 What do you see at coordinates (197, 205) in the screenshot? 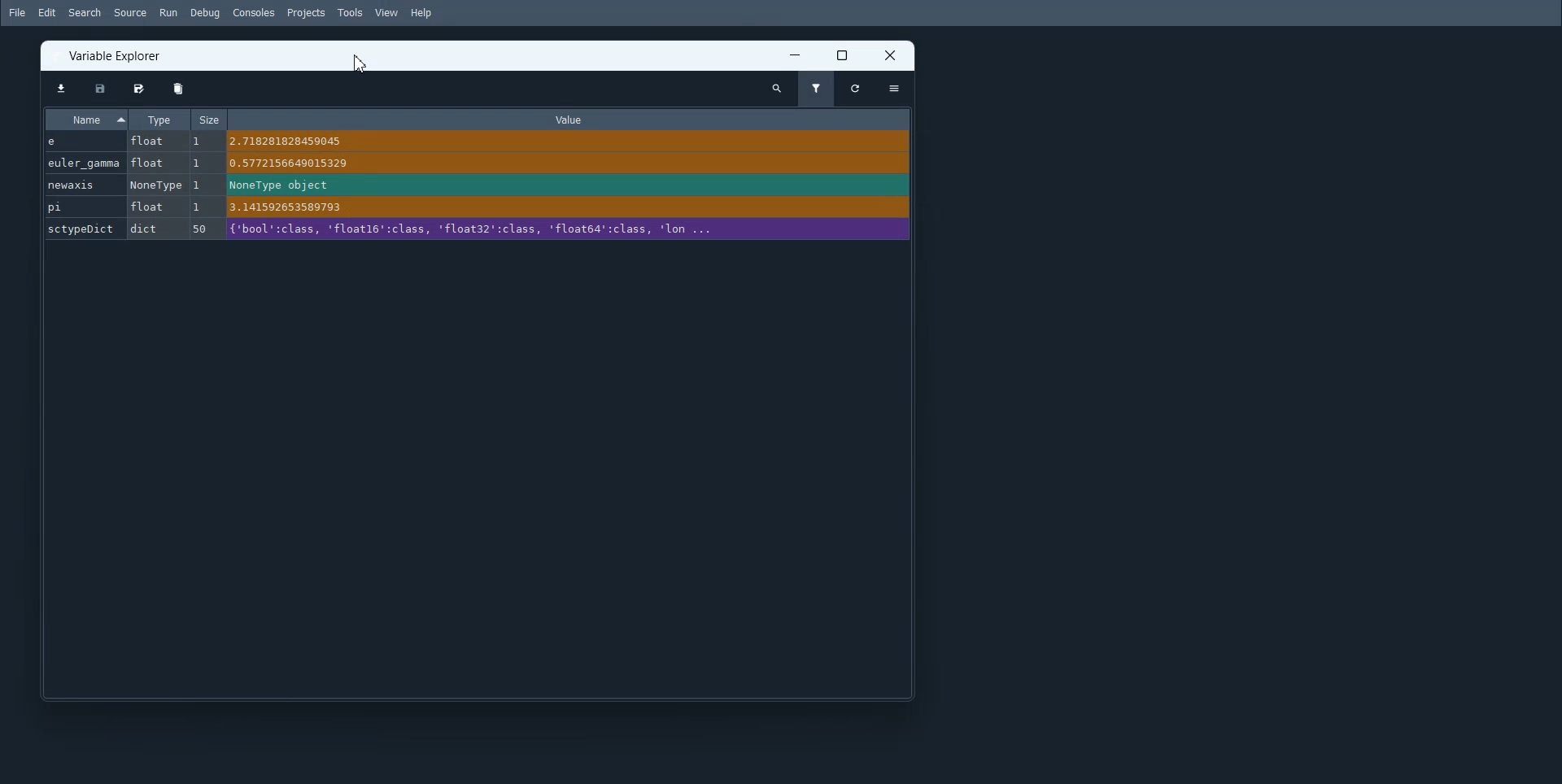
I see `1` at bounding box center [197, 205].